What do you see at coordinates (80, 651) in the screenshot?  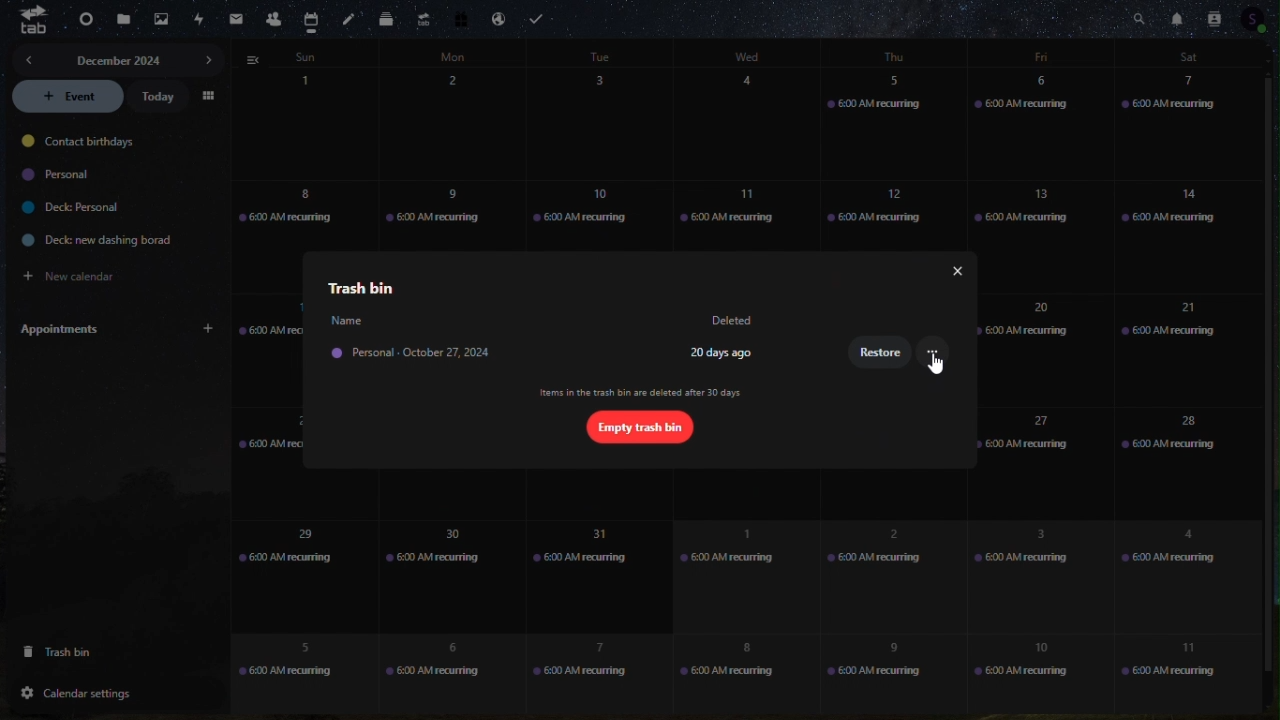 I see `trash bin` at bounding box center [80, 651].